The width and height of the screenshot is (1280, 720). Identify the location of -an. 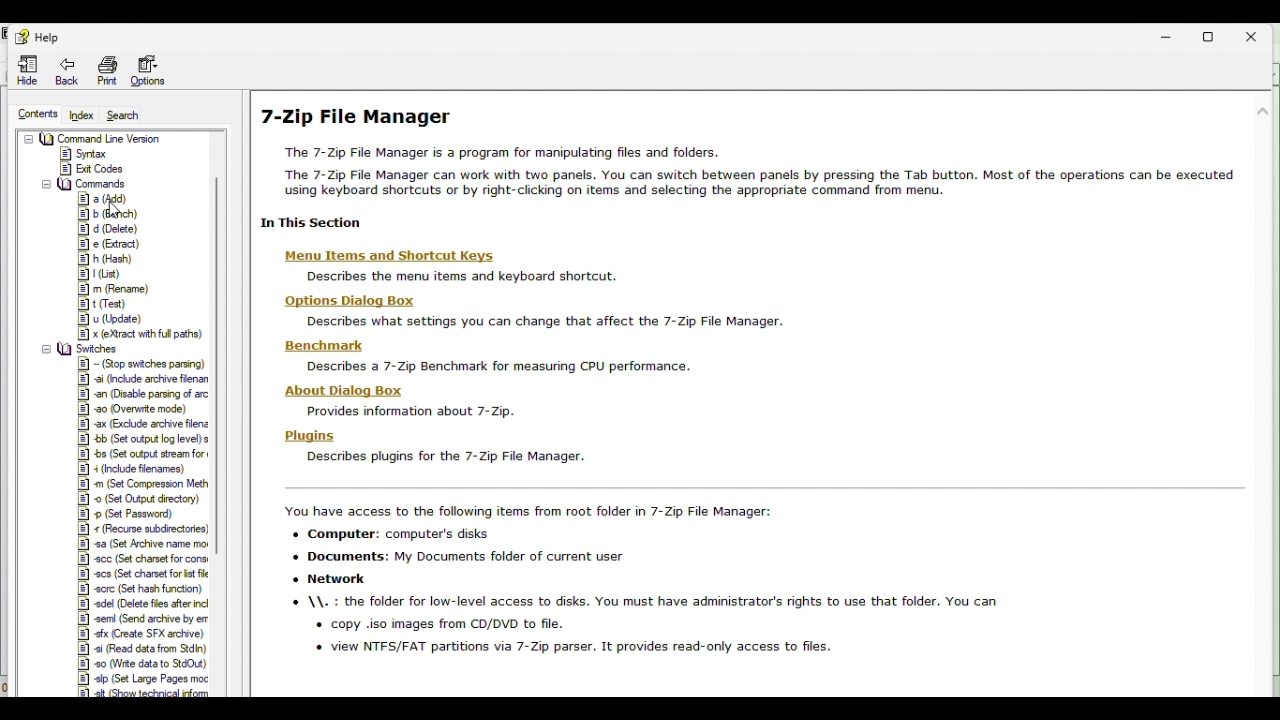
(148, 394).